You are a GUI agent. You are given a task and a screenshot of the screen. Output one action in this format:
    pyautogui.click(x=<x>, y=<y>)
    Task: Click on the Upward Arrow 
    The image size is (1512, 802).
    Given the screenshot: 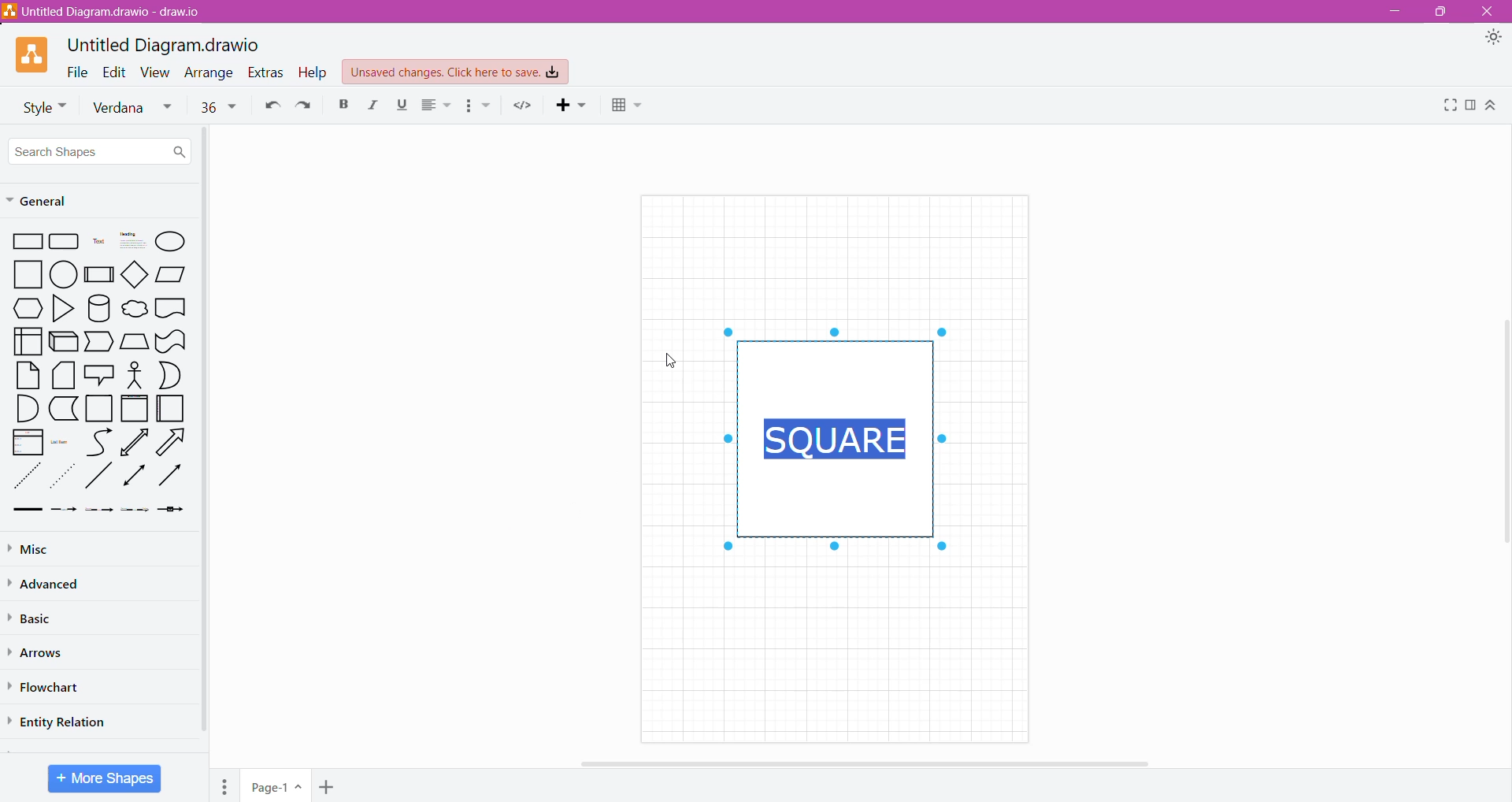 What is the action you would take?
    pyautogui.click(x=135, y=443)
    